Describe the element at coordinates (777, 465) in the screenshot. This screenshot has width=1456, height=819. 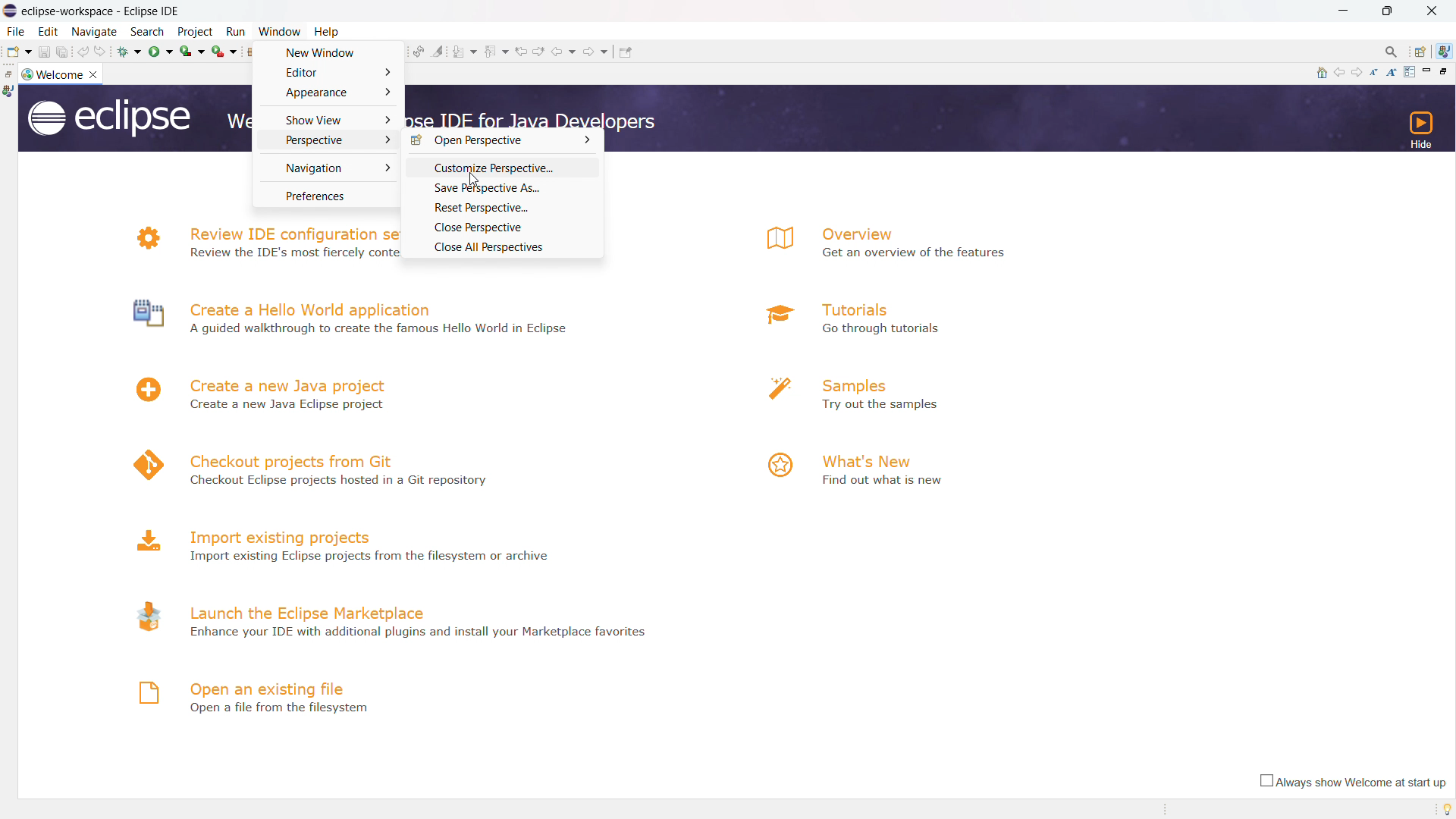
I see `logo` at that location.